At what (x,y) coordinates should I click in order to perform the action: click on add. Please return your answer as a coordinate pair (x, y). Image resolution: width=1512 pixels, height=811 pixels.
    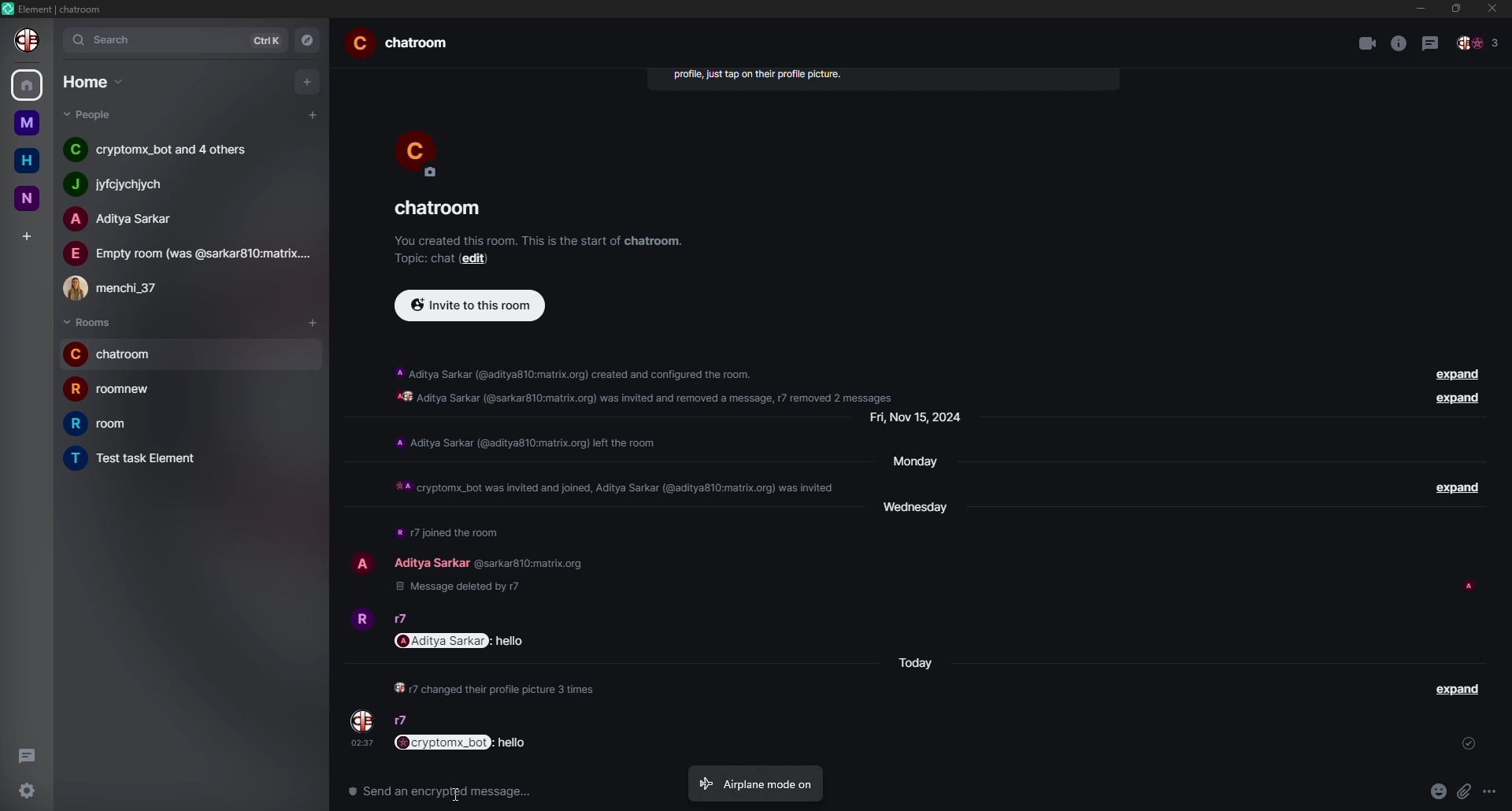
    Looking at the image, I should click on (313, 321).